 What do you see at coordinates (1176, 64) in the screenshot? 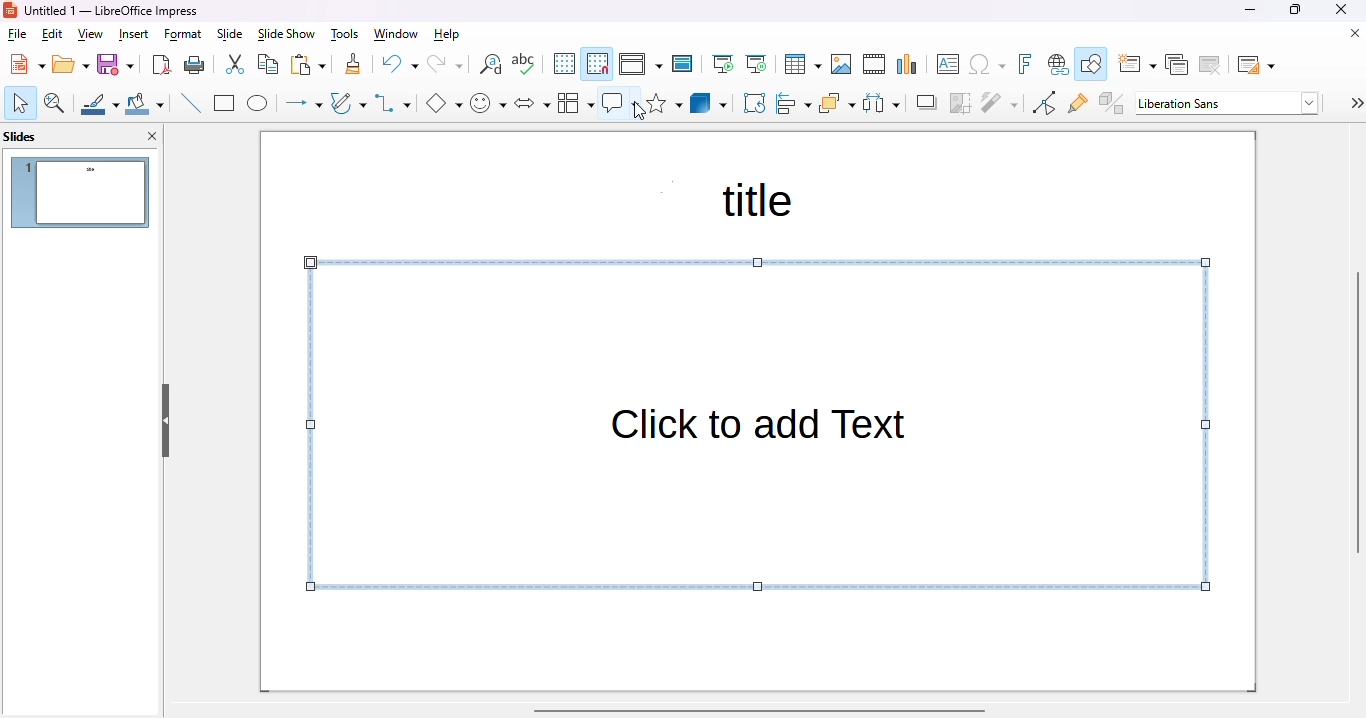
I see `duplicate slide` at bounding box center [1176, 64].